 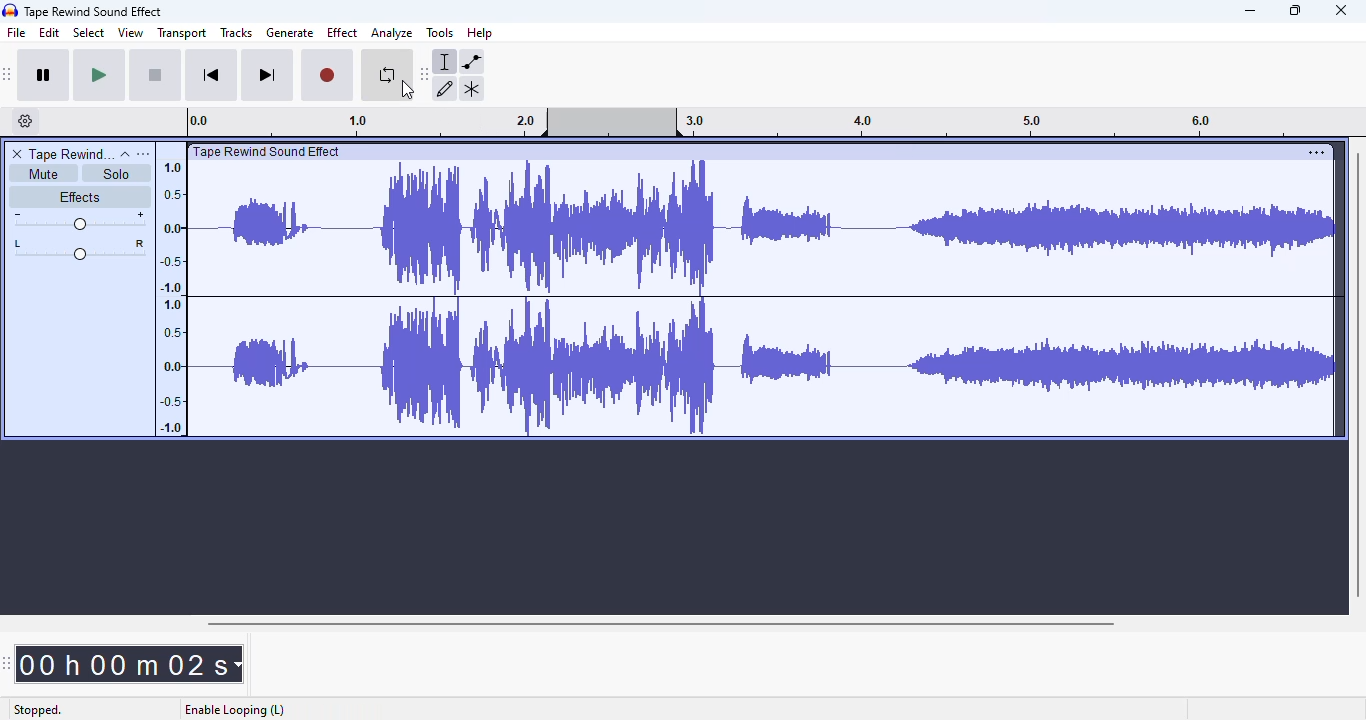 What do you see at coordinates (657, 623) in the screenshot?
I see `horizontal scroll bar` at bounding box center [657, 623].